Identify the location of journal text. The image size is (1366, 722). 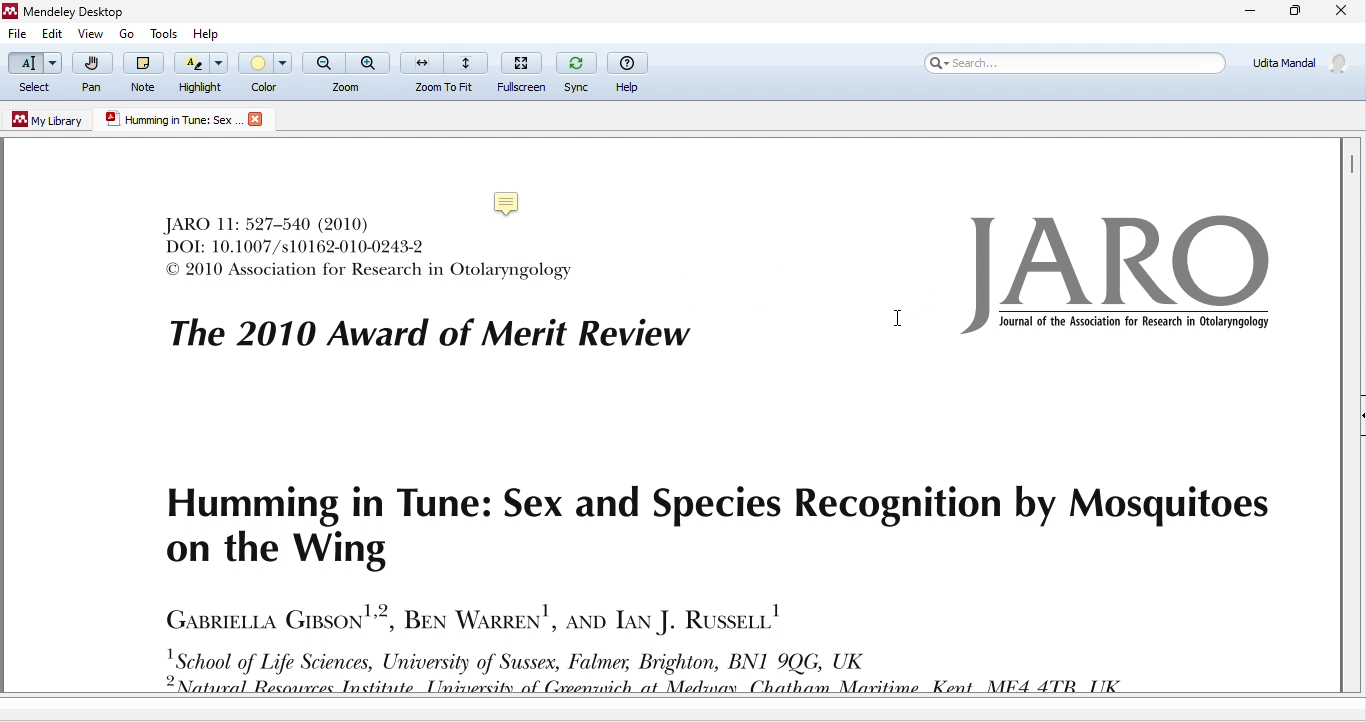
(423, 307).